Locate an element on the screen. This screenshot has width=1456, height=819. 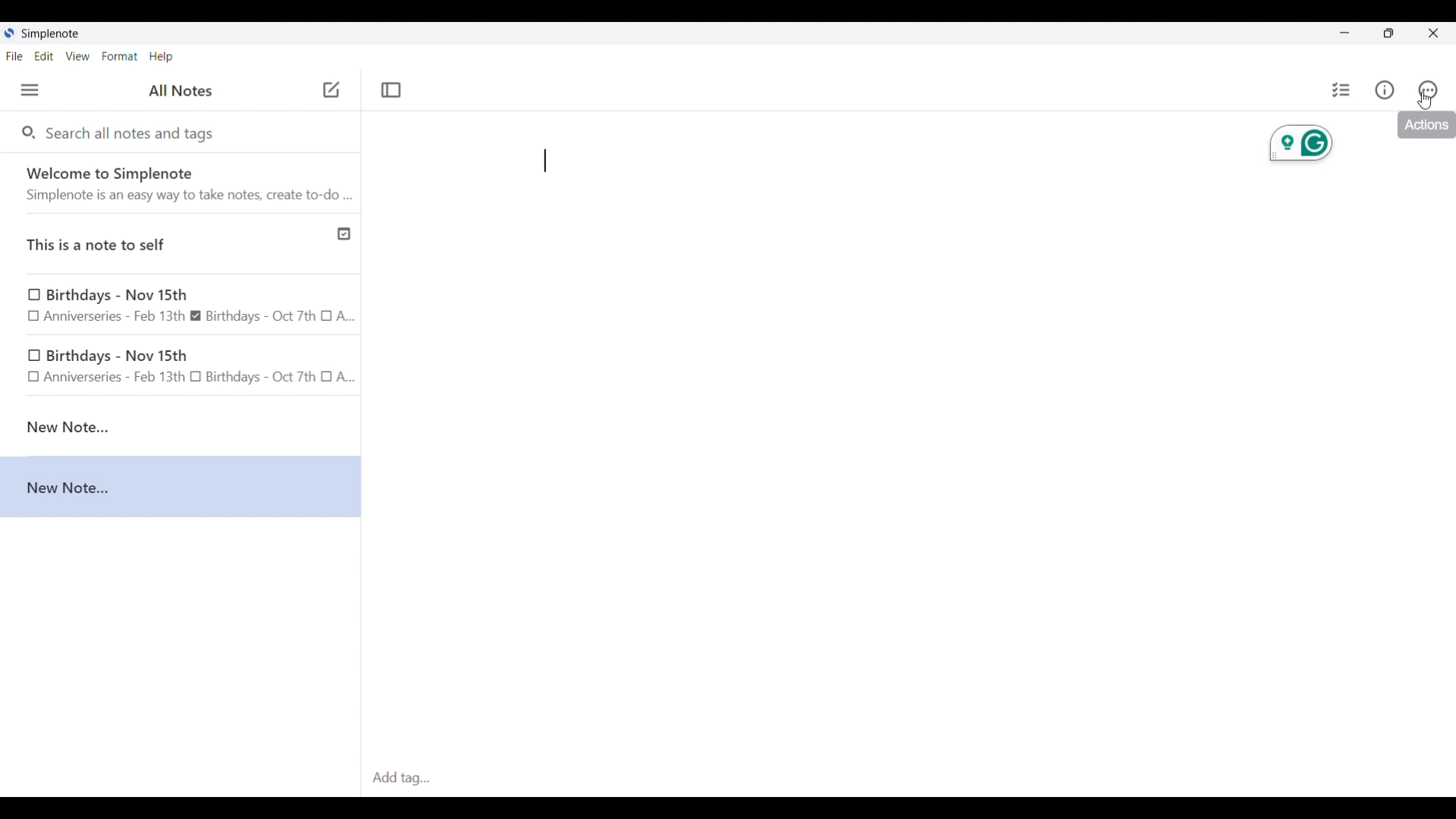
Insert checklist is located at coordinates (1342, 90).